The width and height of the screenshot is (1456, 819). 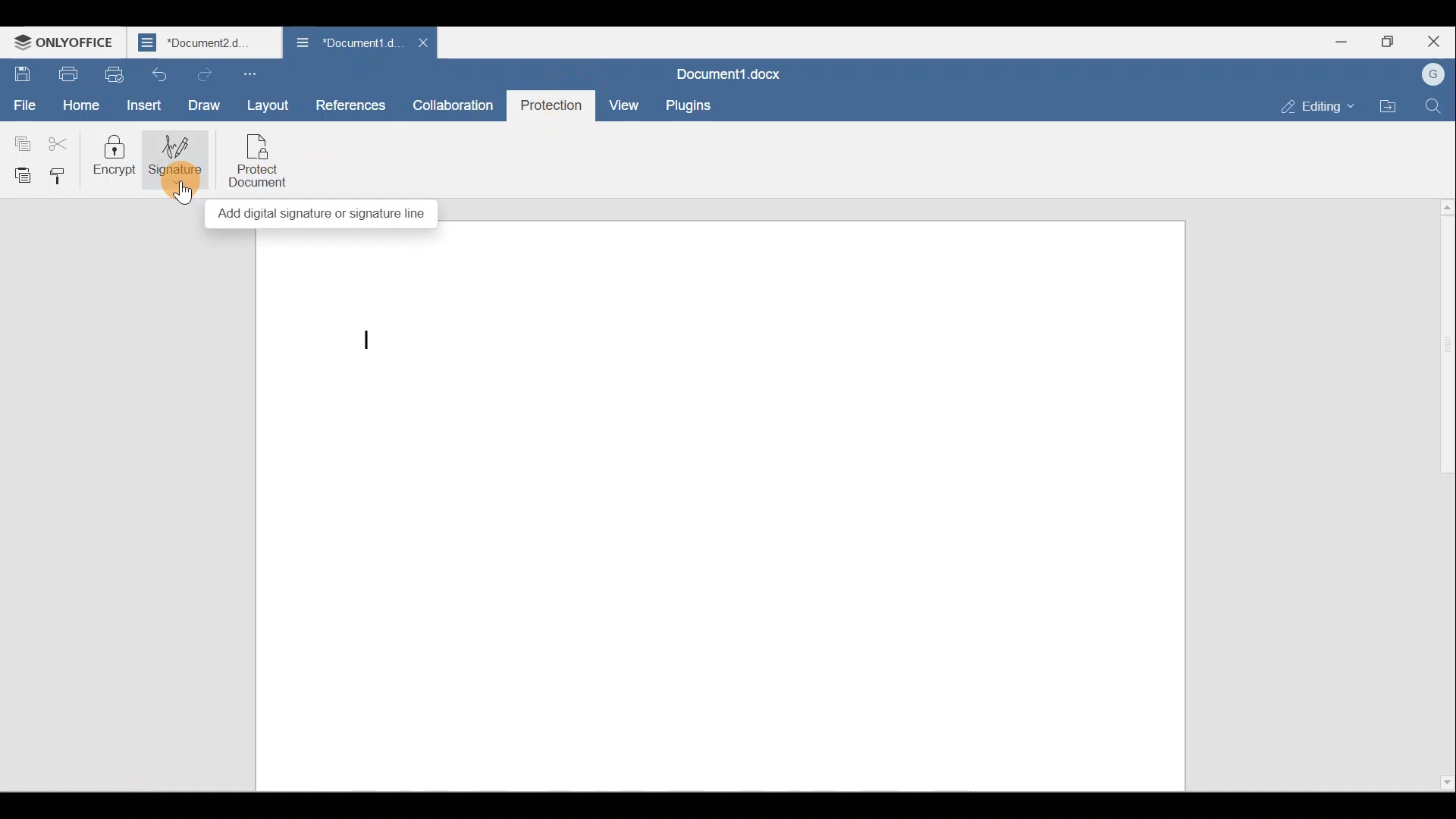 I want to click on Maximize, so click(x=1386, y=38).